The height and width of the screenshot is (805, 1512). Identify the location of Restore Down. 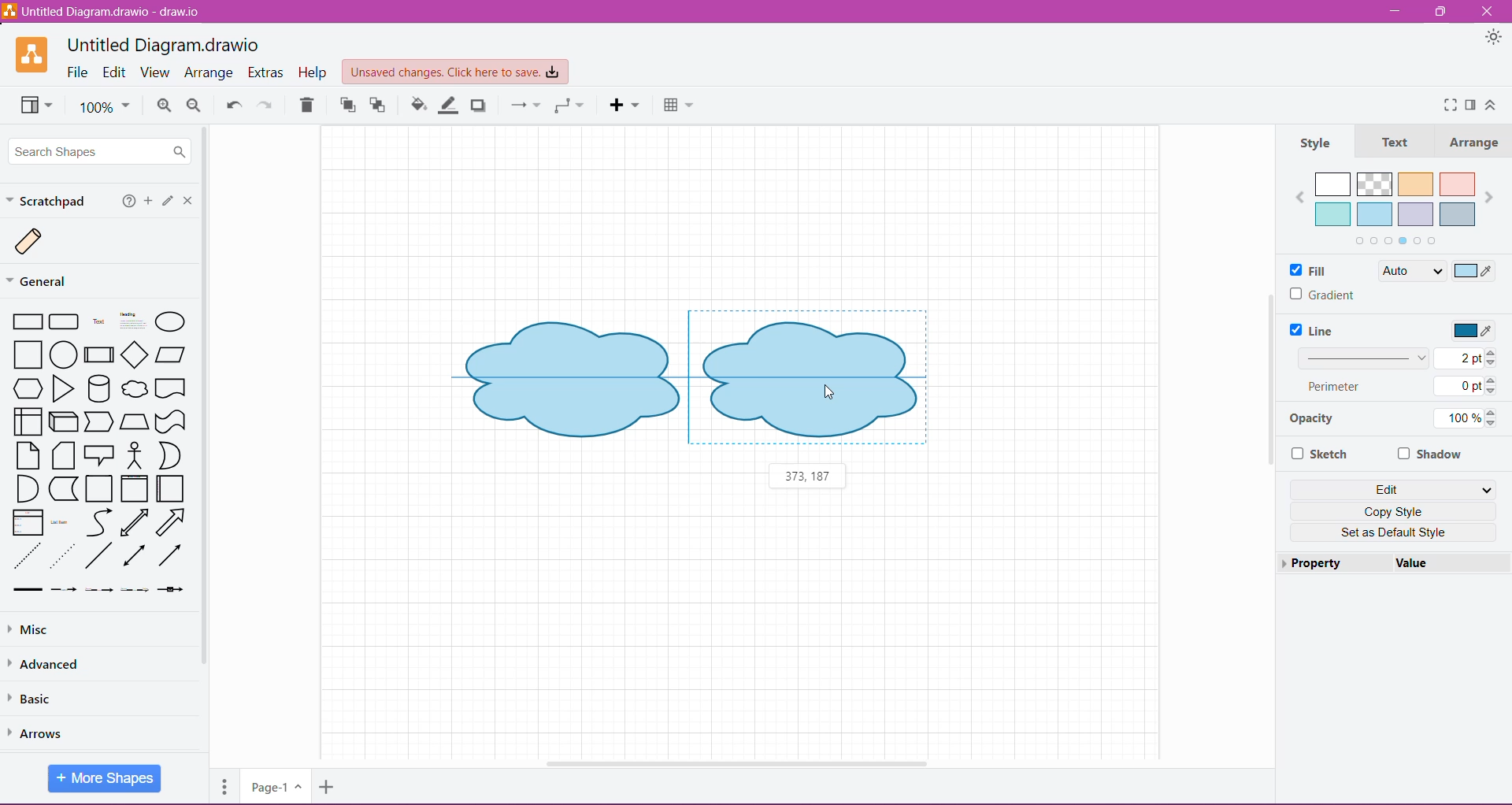
(1443, 12).